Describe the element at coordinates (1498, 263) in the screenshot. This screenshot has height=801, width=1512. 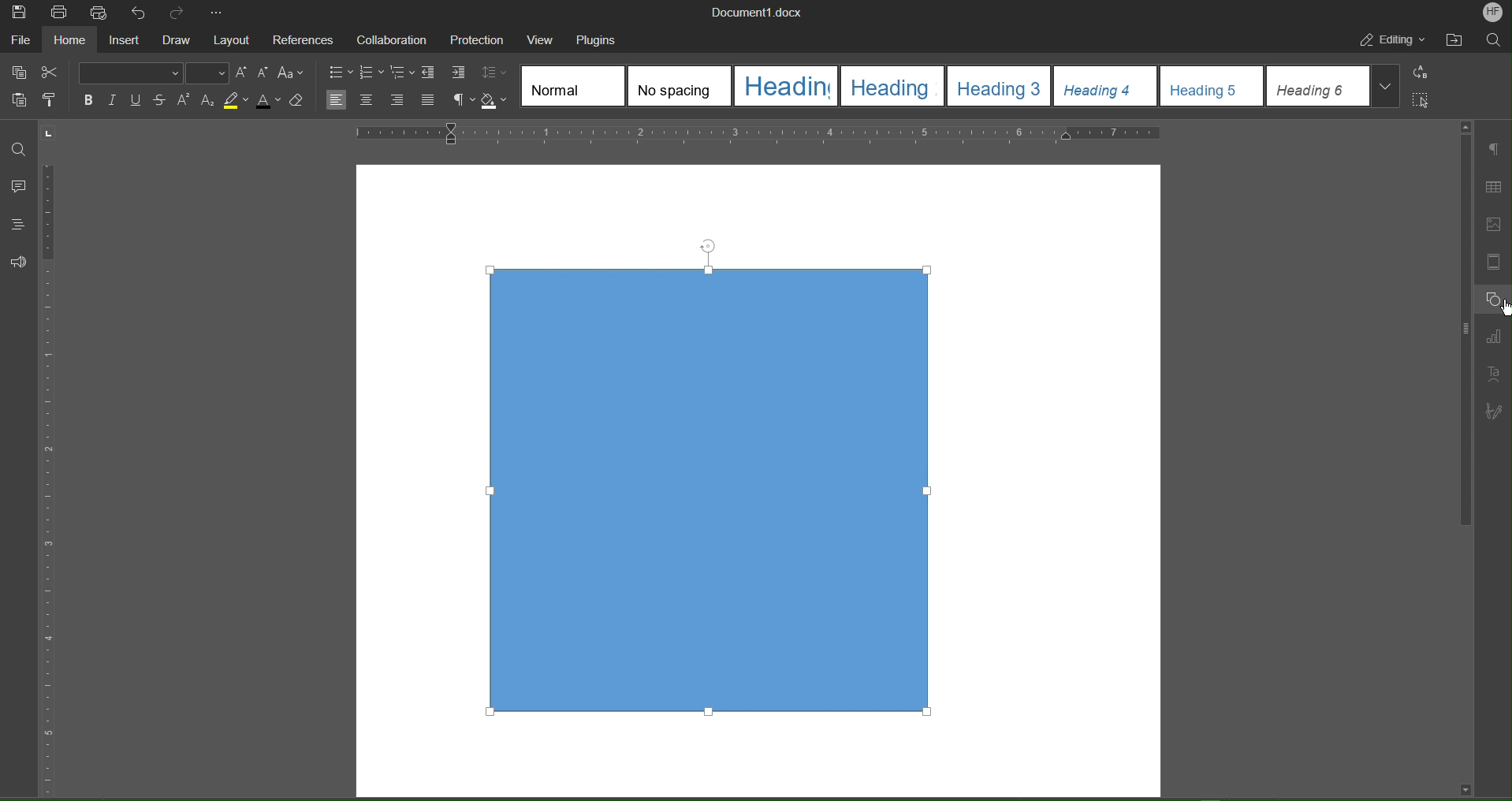
I see `Header/Footer` at that location.